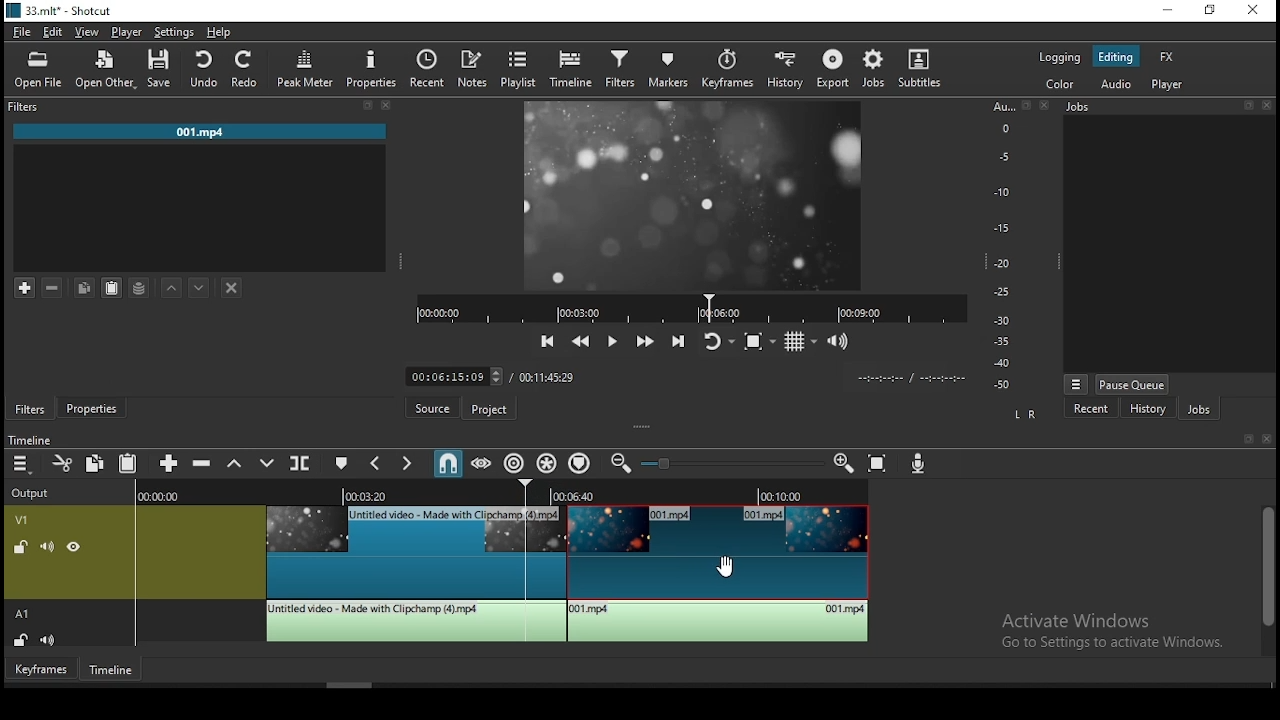 The height and width of the screenshot is (720, 1280). What do you see at coordinates (695, 193) in the screenshot?
I see `video preview` at bounding box center [695, 193].